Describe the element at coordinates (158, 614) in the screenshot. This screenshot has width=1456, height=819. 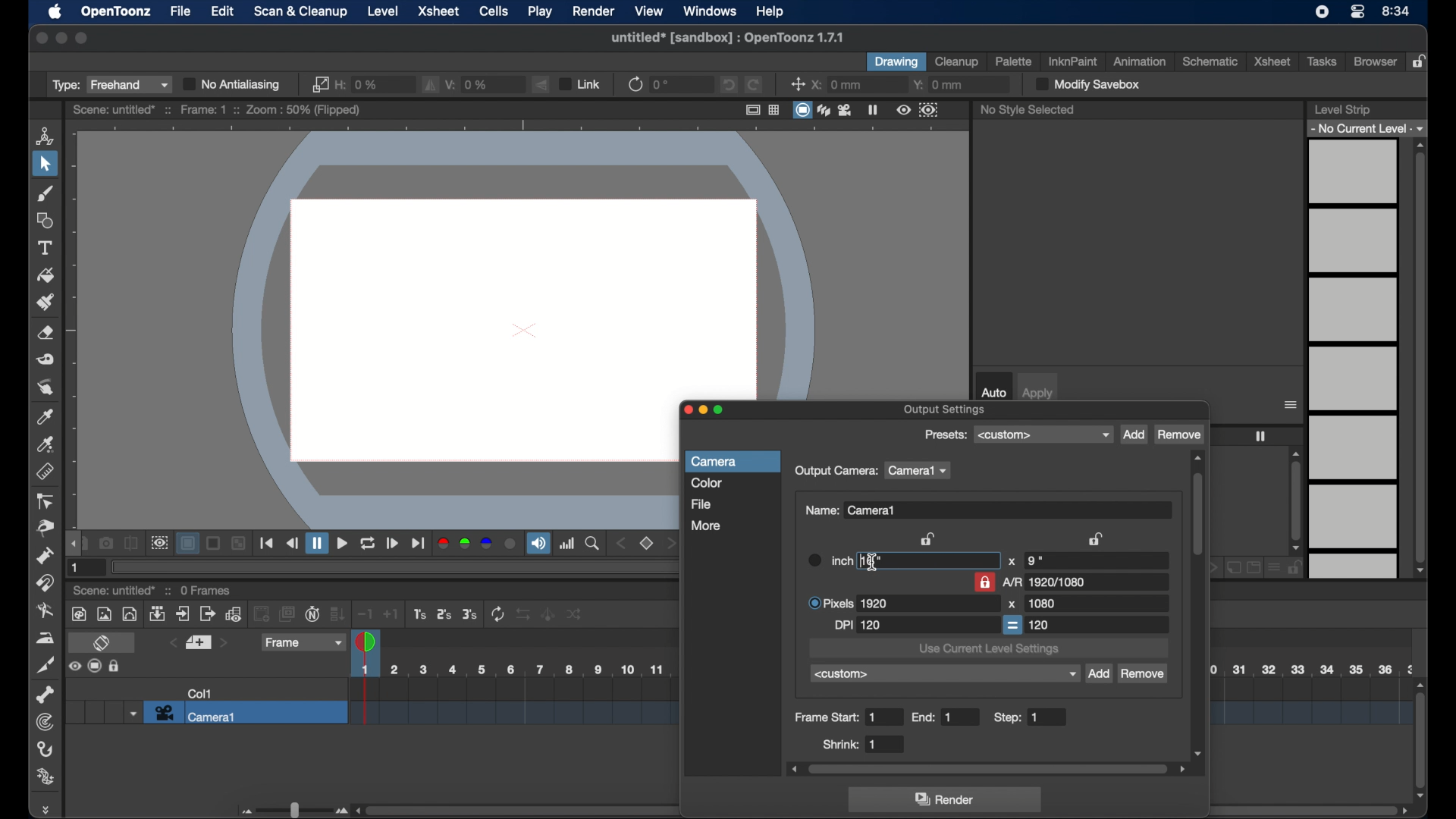
I see `` at that location.